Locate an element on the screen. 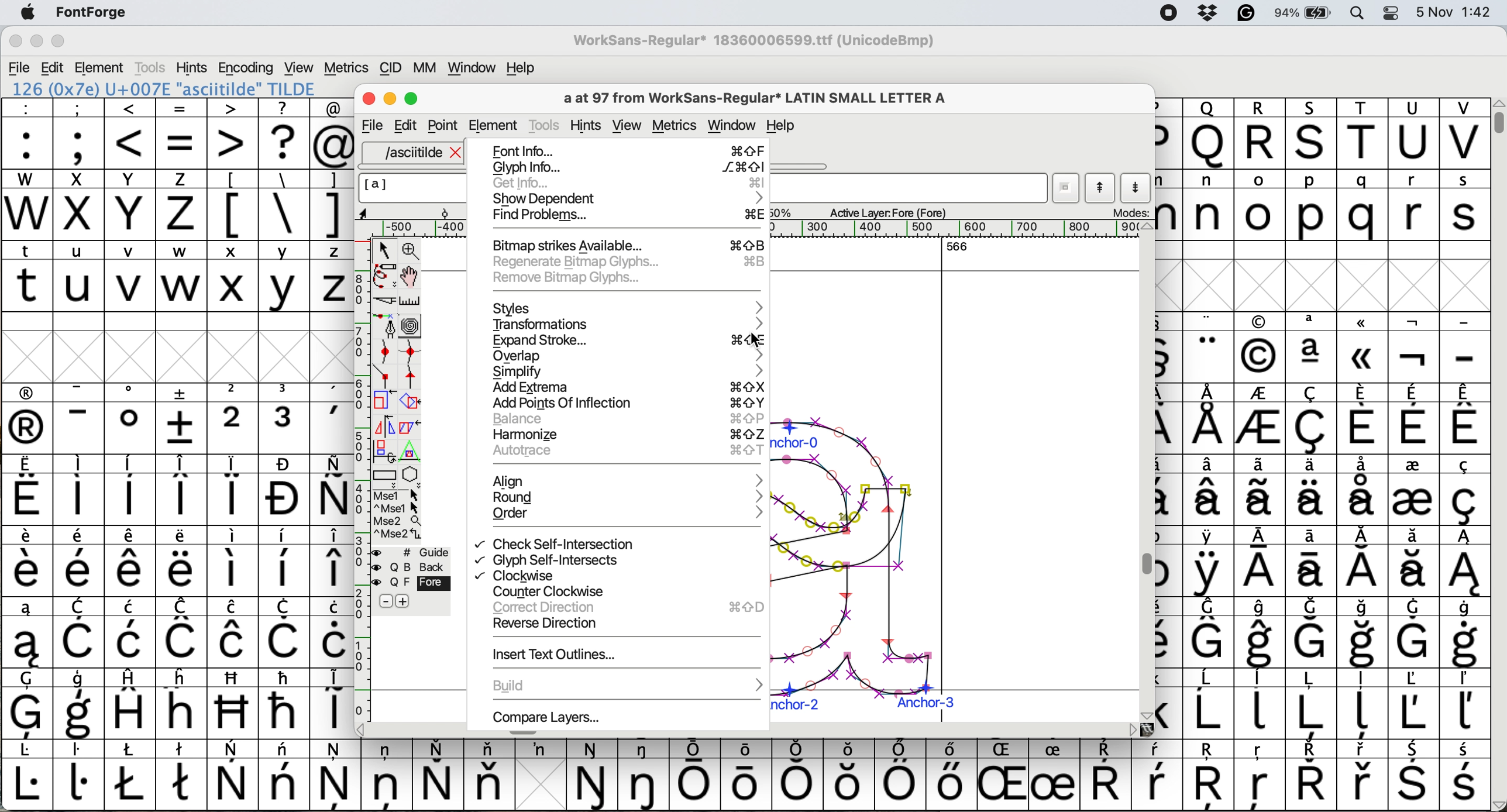 Image resolution: width=1507 pixels, height=812 pixels. symbol is located at coordinates (183, 418).